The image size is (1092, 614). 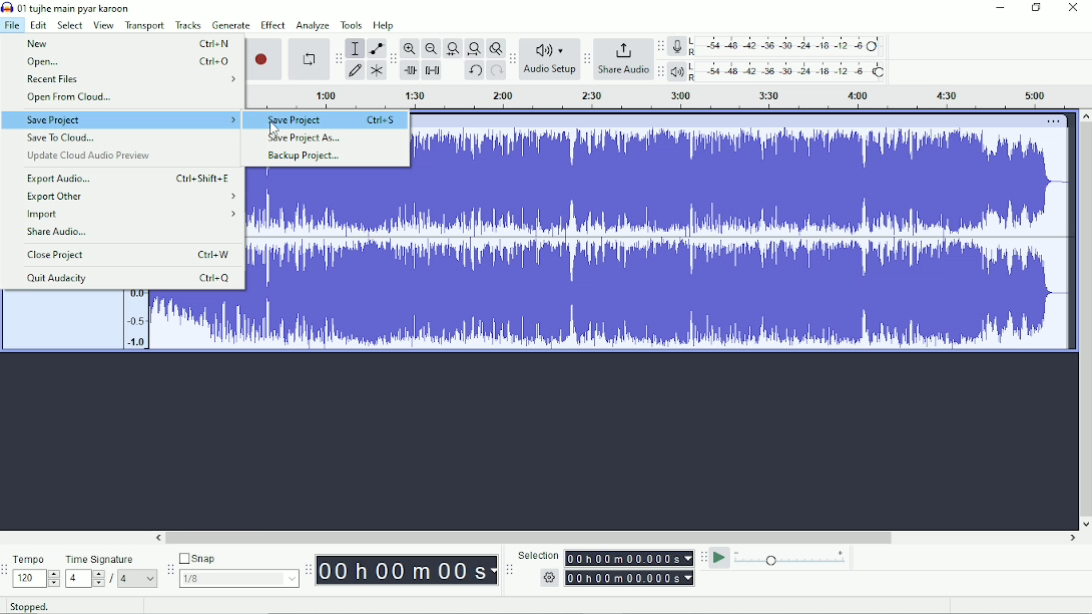 What do you see at coordinates (410, 69) in the screenshot?
I see `Trim audio outside selection` at bounding box center [410, 69].